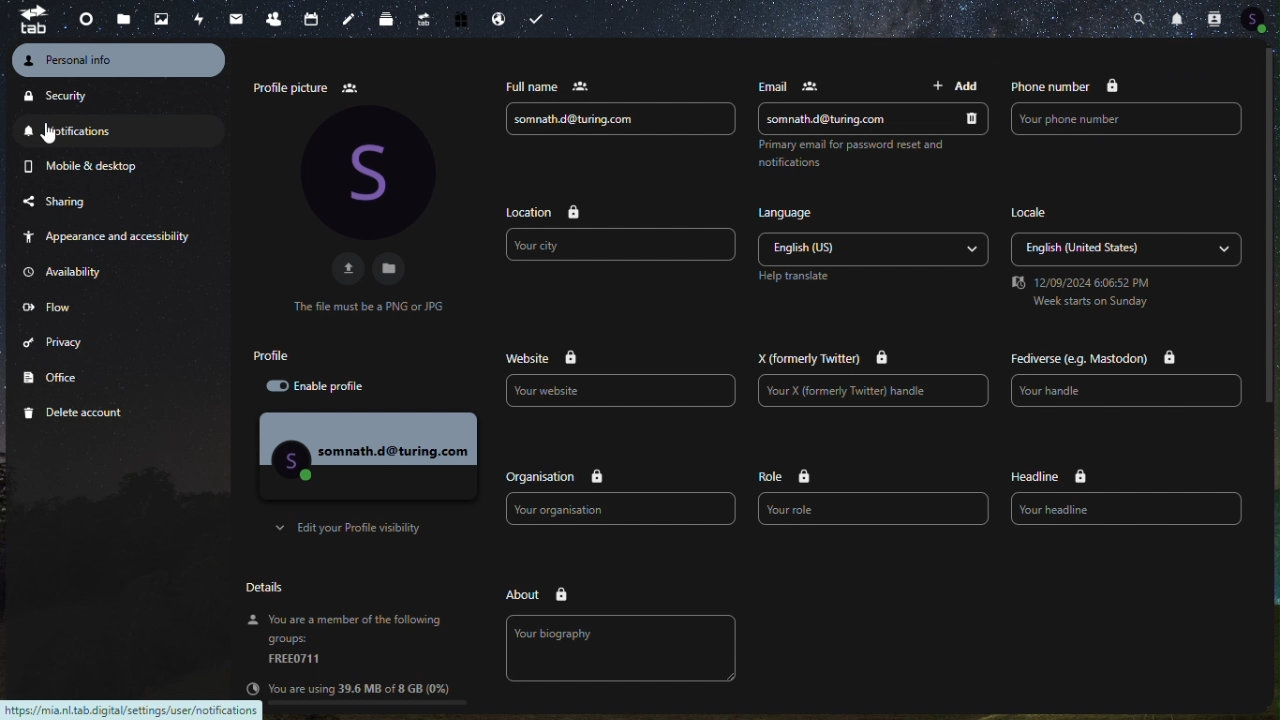 The width and height of the screenshot is (1280, 720). I want to click on mobile and desktop, so click(84, 165).